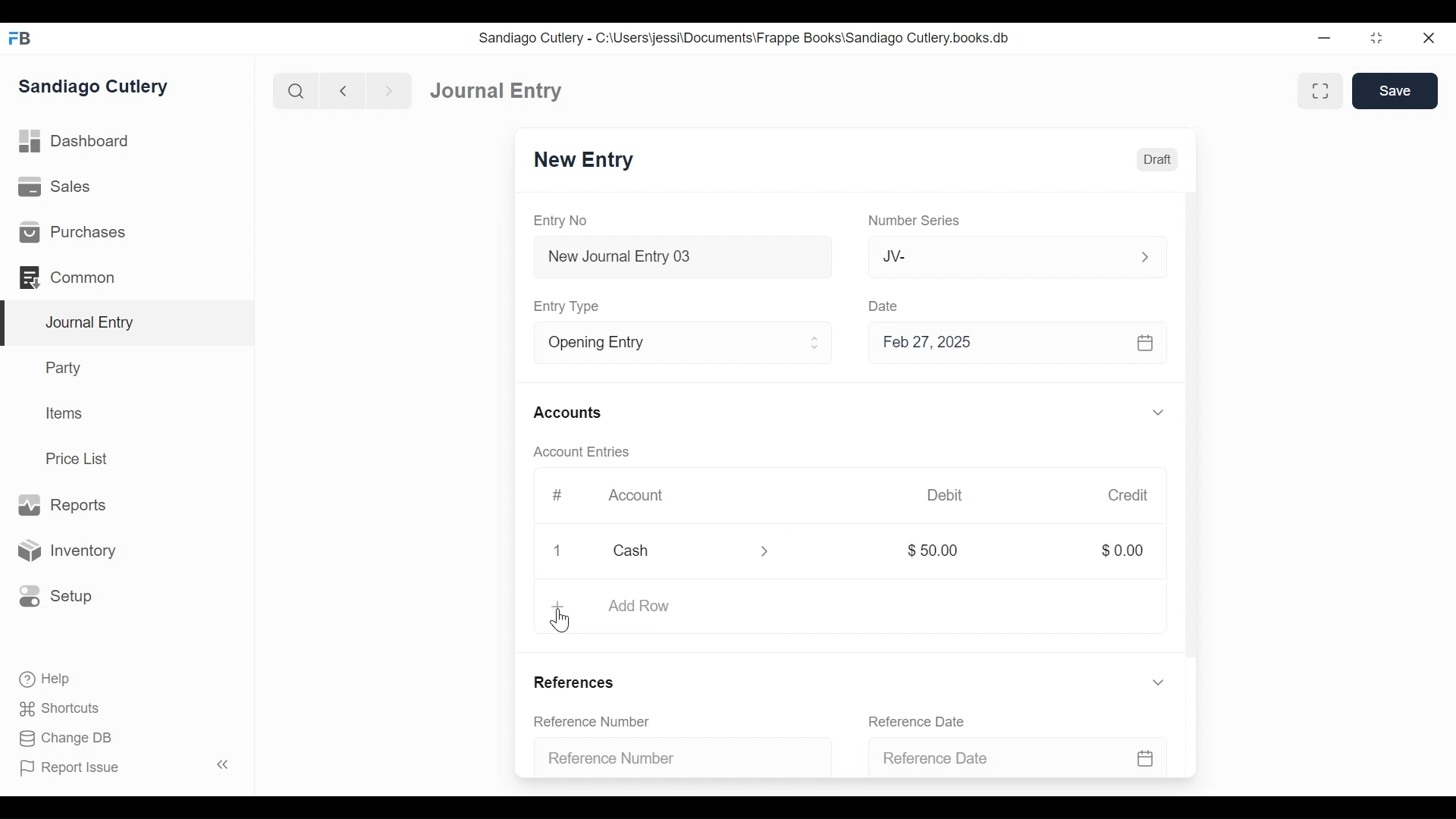  What do you see at coordinates (124, 324) in the screenshot?
I see `Journal Entry` at bounding box center [124, 324].